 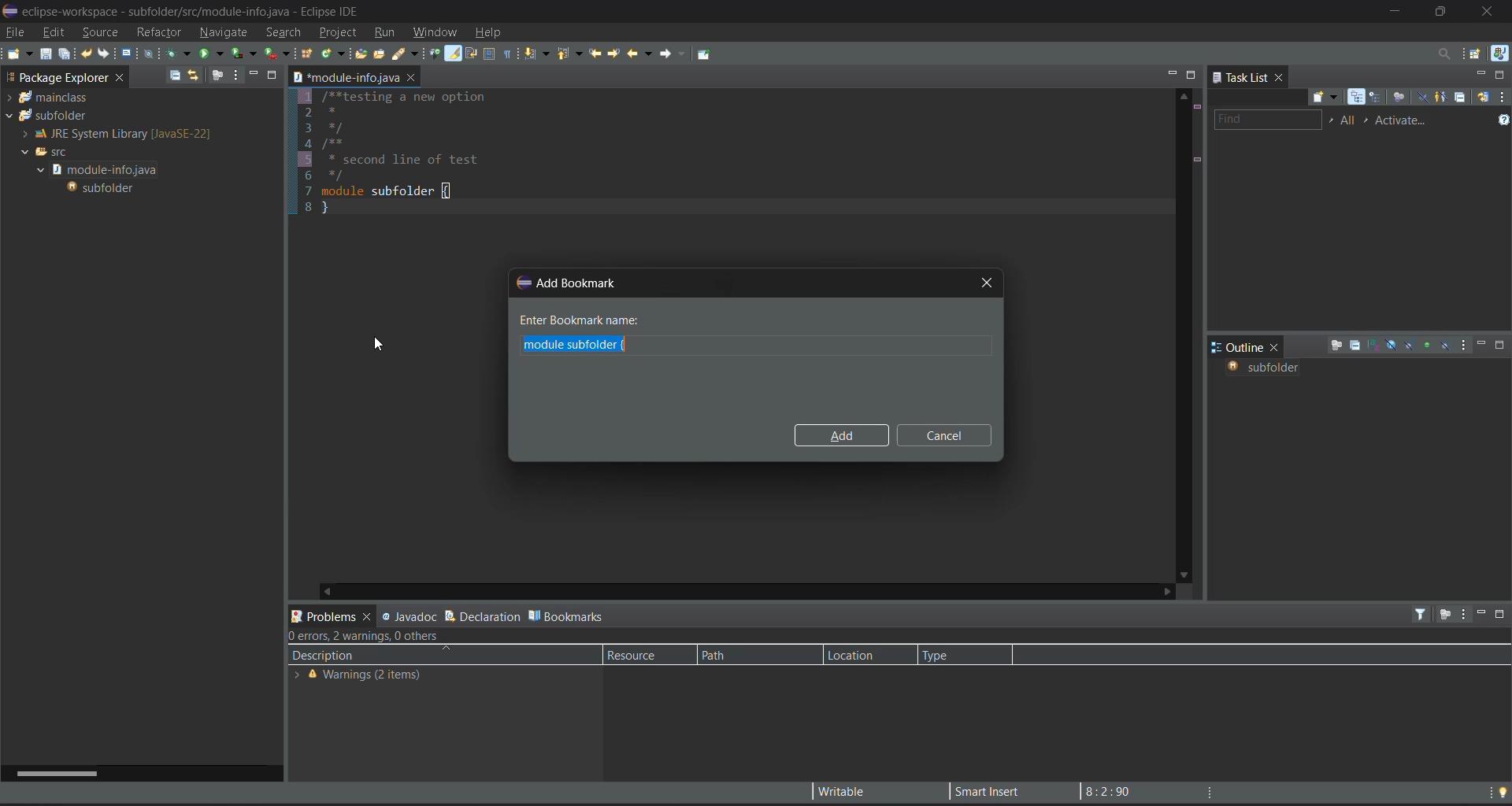 What do you see at coordinates (54, 76) in the screenshot?
I see `Package Explorer` at bounding box center [54, 76].